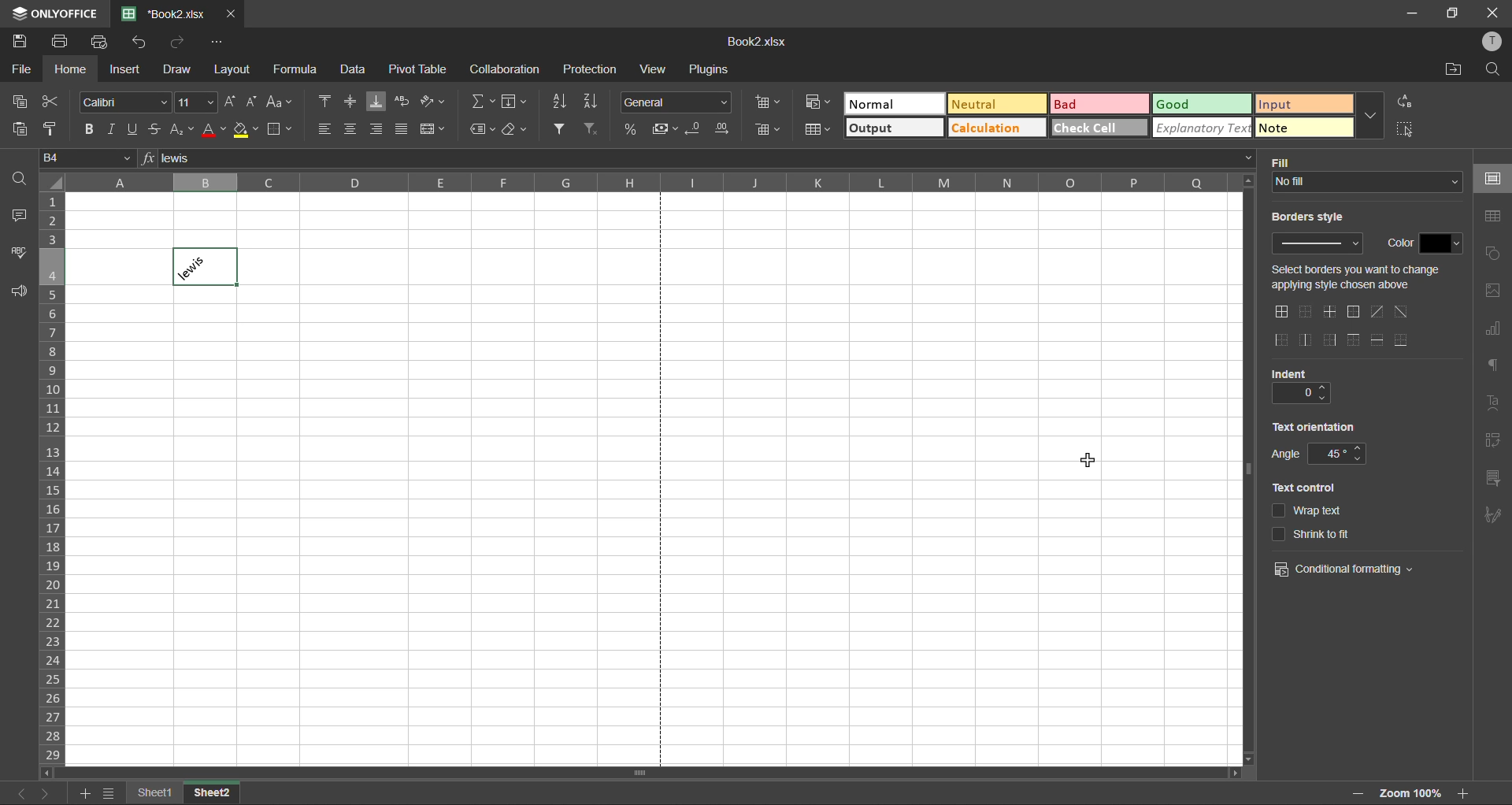  What do you see at coordinates (43, 794) in the screenshot?
I see `next` at bounding box center [43, 794].